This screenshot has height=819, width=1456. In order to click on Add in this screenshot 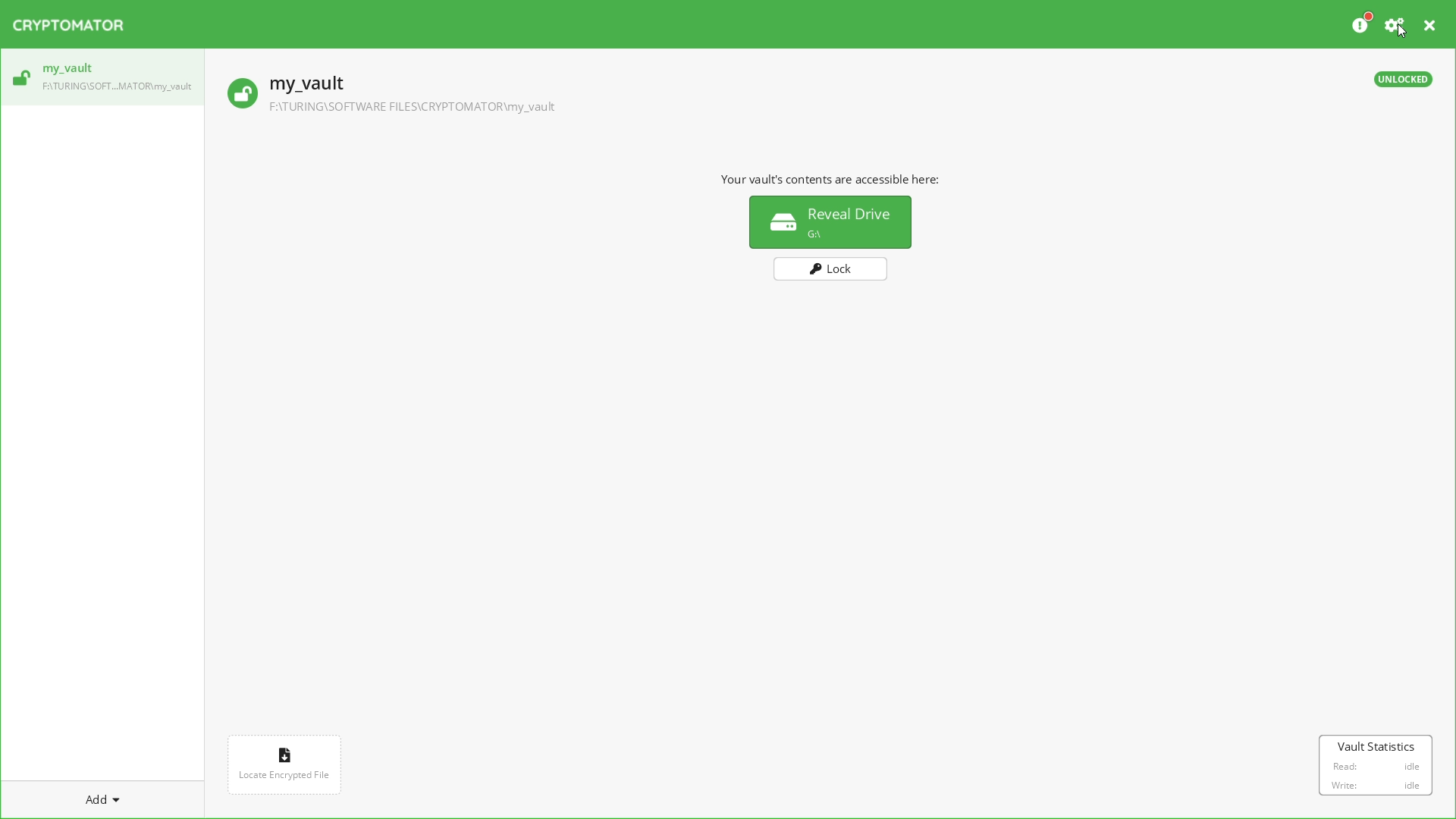, I will do `click(97, 802)`.